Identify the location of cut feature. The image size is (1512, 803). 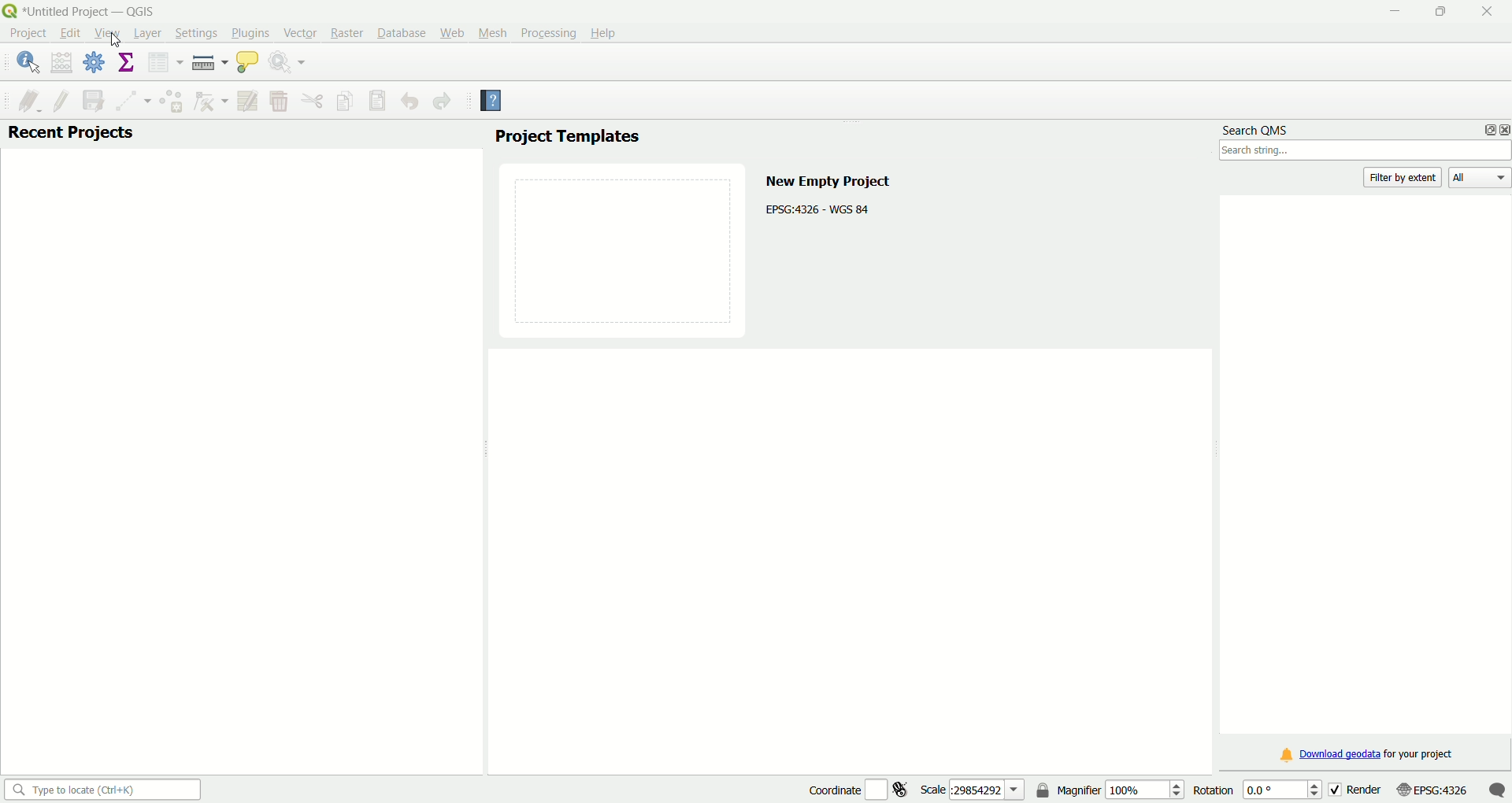
(313, 101).